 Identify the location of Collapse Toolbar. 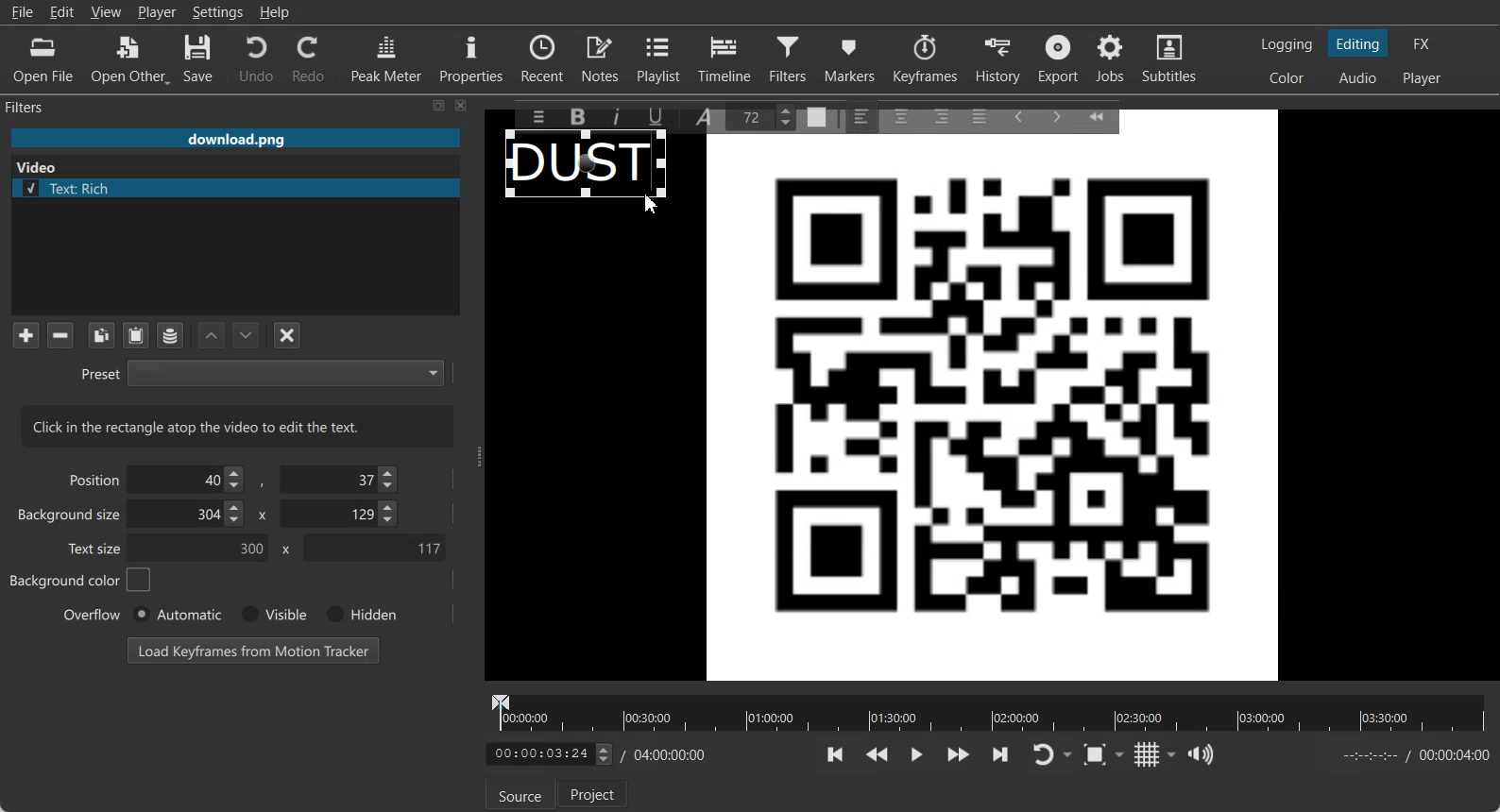
(1105, 113).